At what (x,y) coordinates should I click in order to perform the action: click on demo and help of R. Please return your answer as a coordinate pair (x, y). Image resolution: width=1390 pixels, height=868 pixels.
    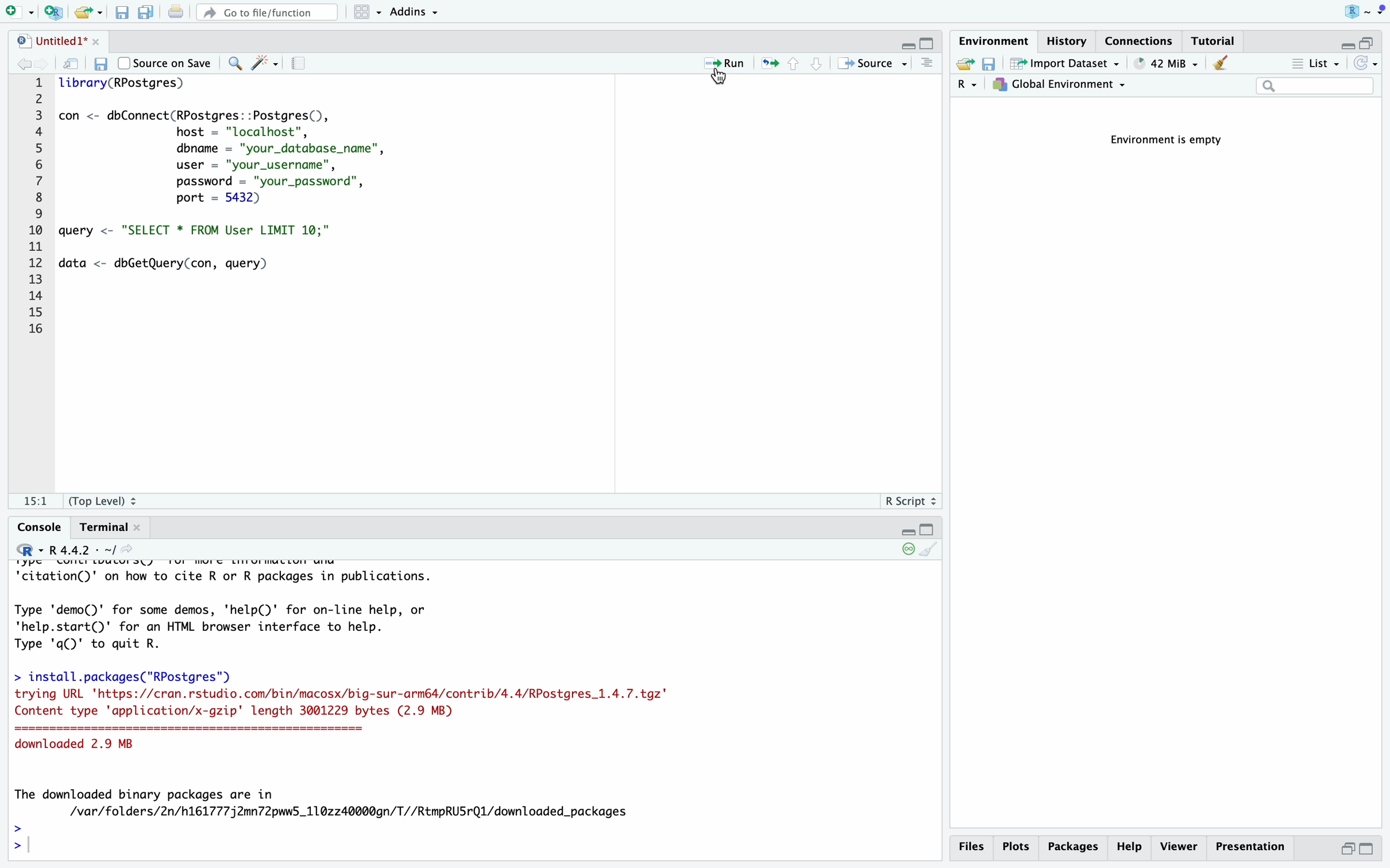
    Looking at the image, I should click on (223, 629).